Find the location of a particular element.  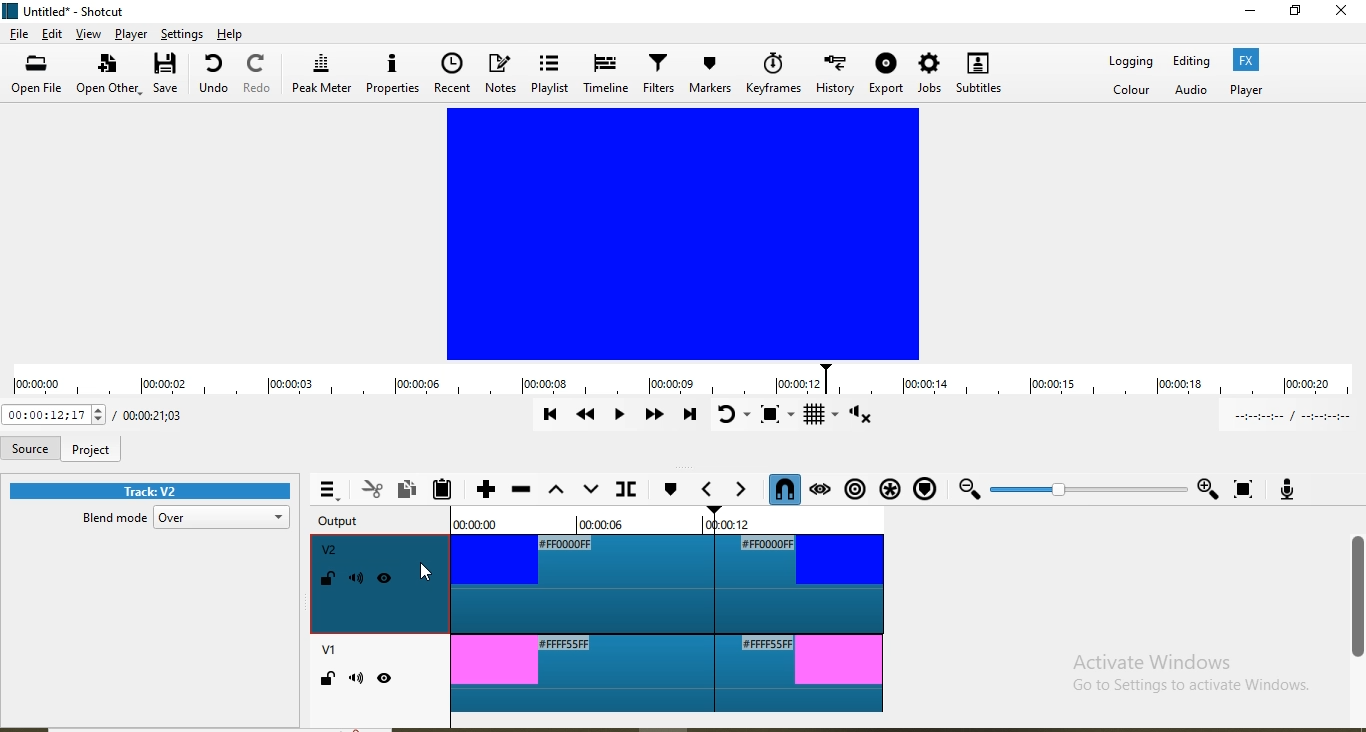

Show volume control is located at coordinates (875, 417).